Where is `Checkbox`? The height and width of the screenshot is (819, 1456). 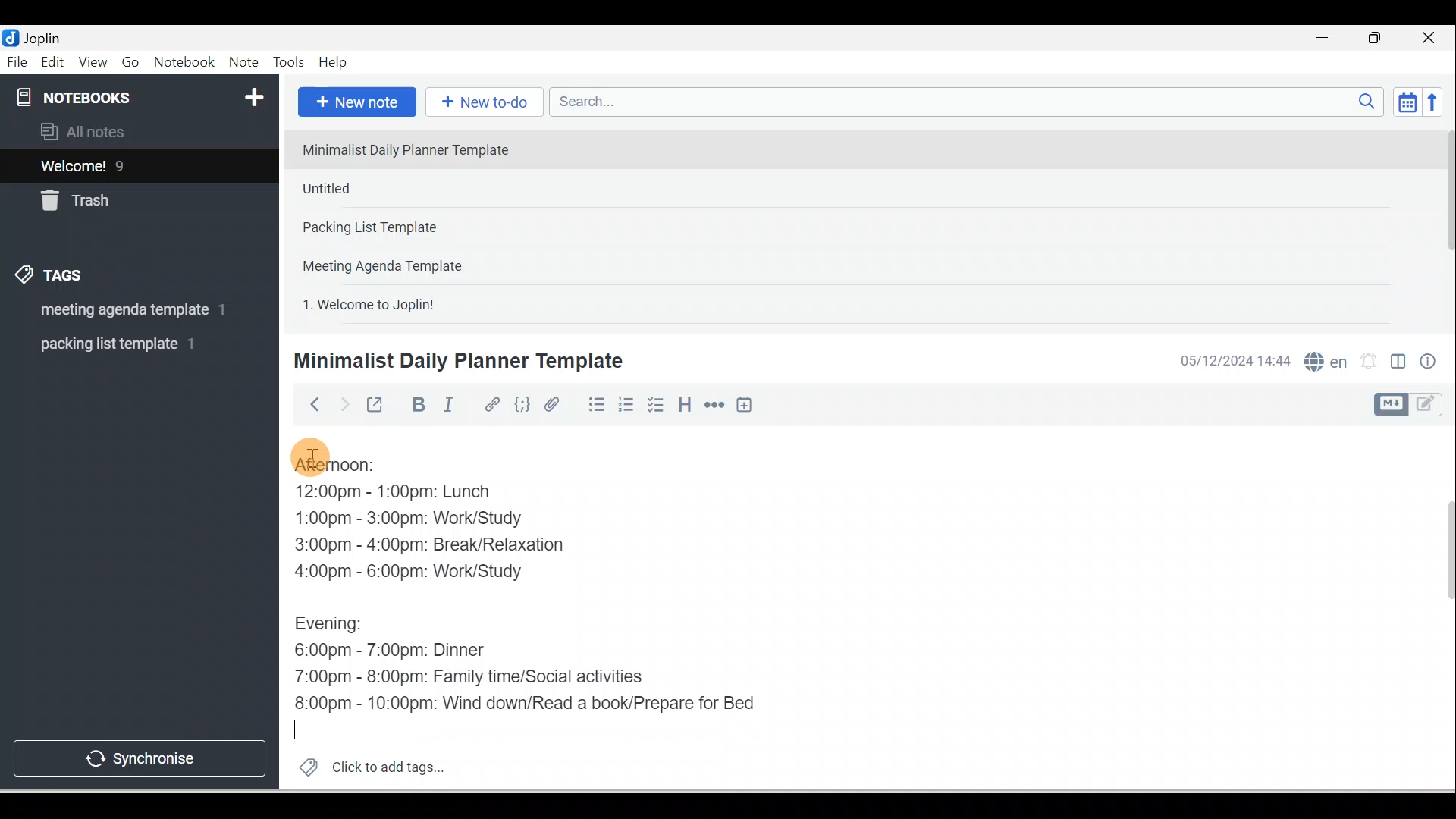
Checkbox is located at coordinates (654, 405).